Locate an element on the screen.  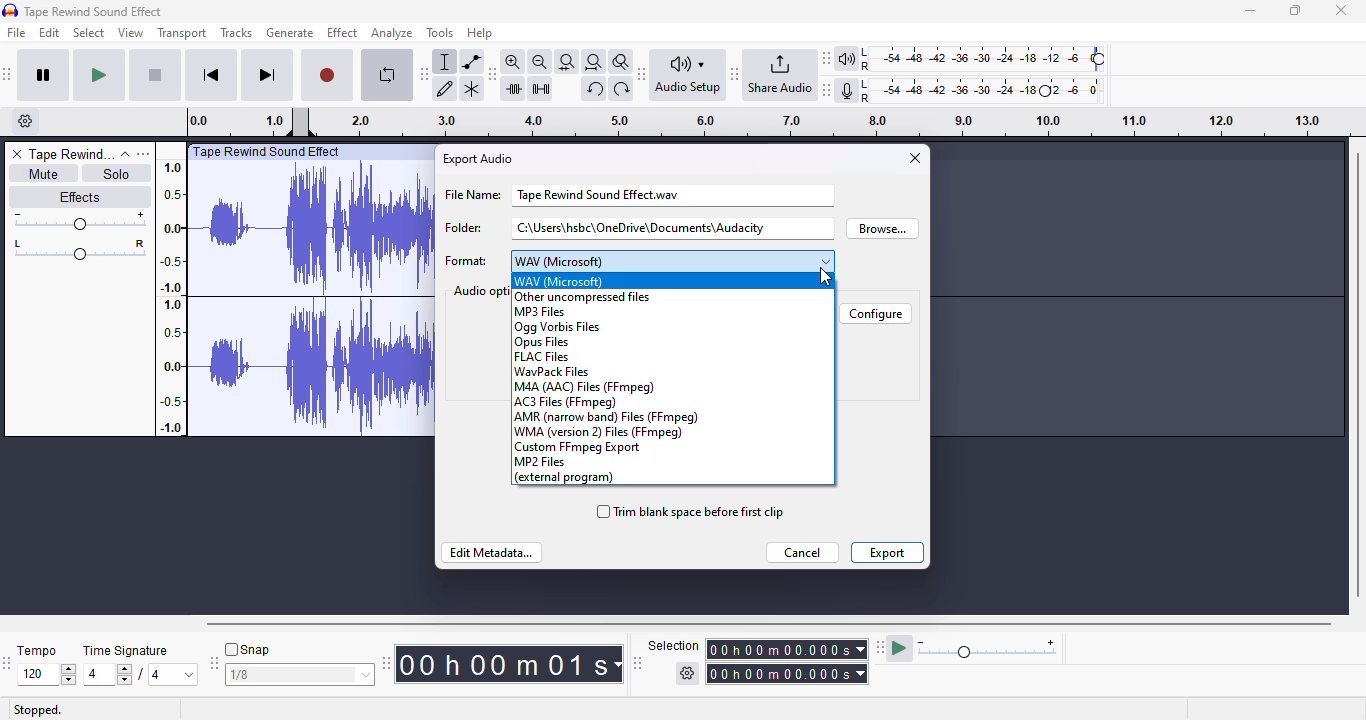
WAV (Microsoft) is located at coordinates (557, 280).